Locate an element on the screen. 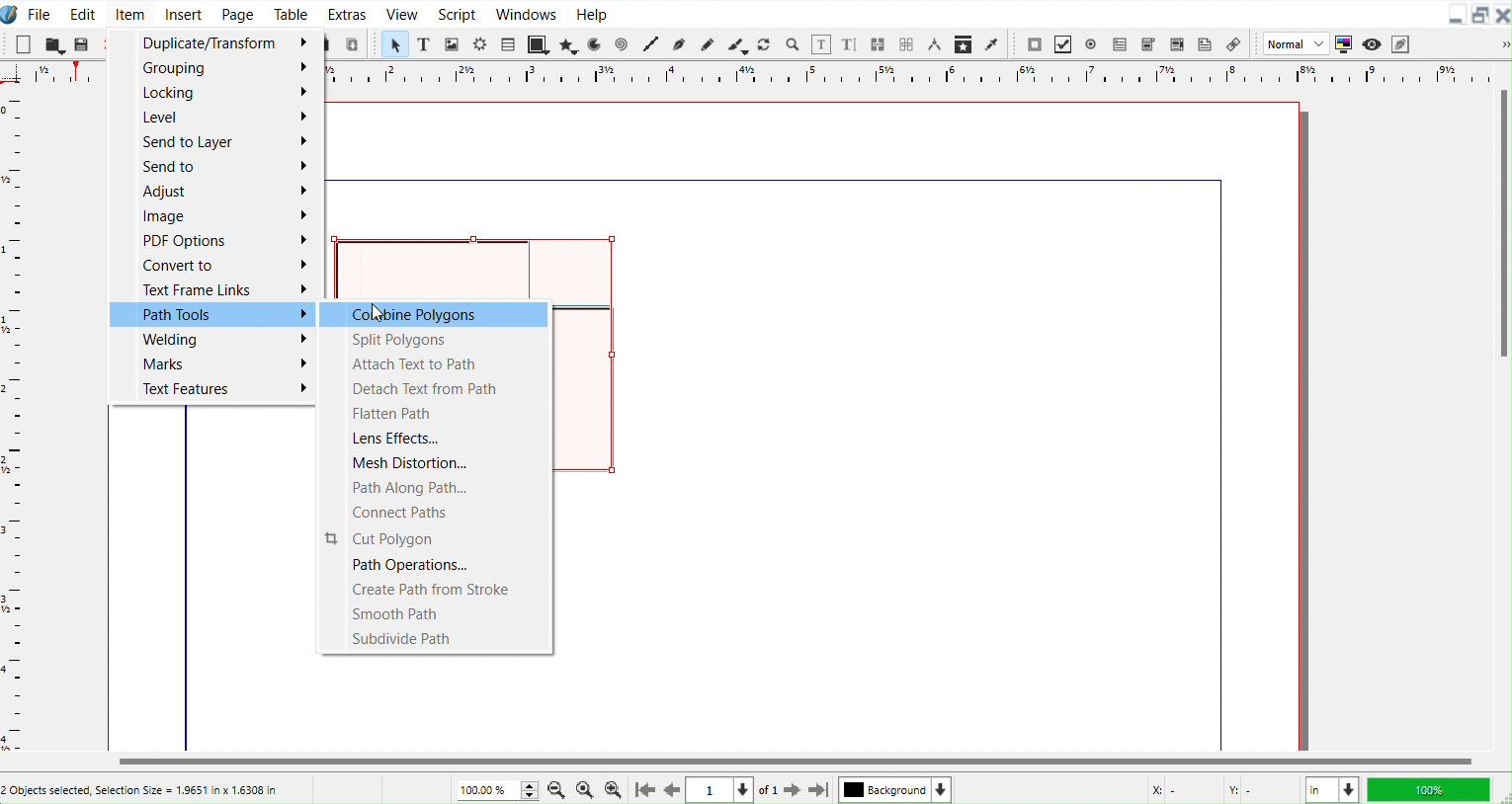 The height and width of the screenshot is (804, 1512). Drop down box is located at coordinates (1496, 43).